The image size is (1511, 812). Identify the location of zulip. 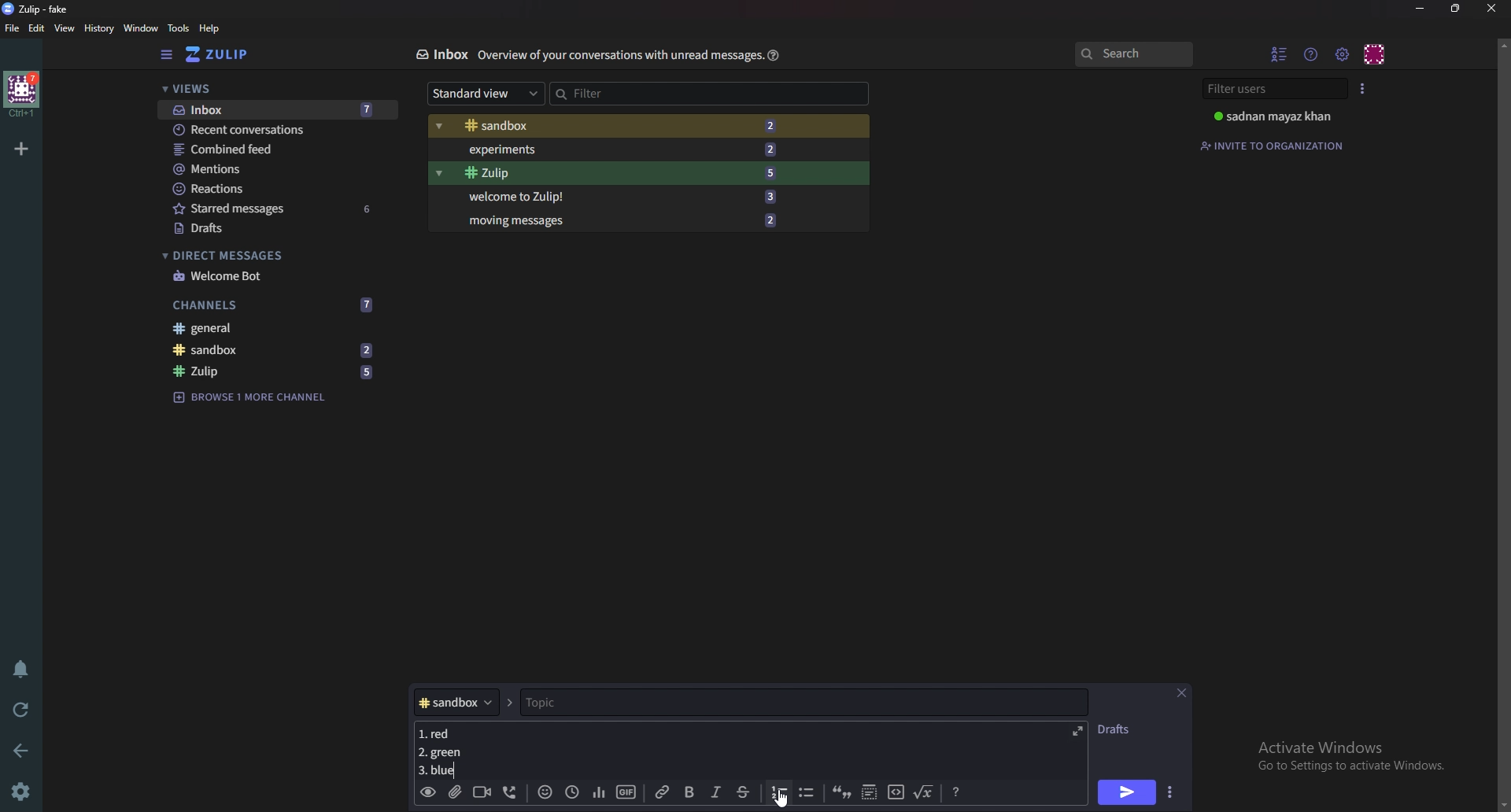
(279, 372).